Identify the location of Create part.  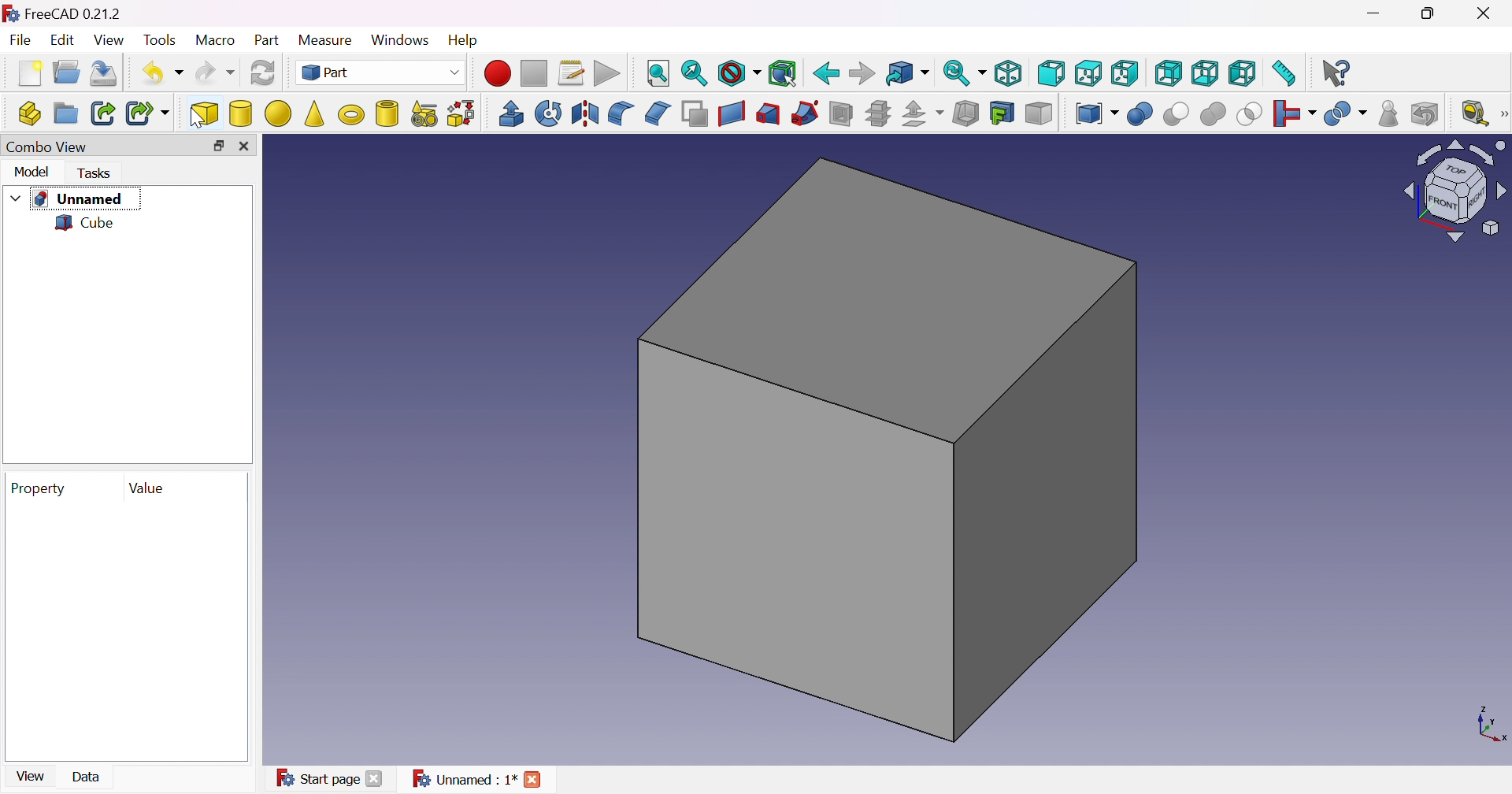
(29, 113).